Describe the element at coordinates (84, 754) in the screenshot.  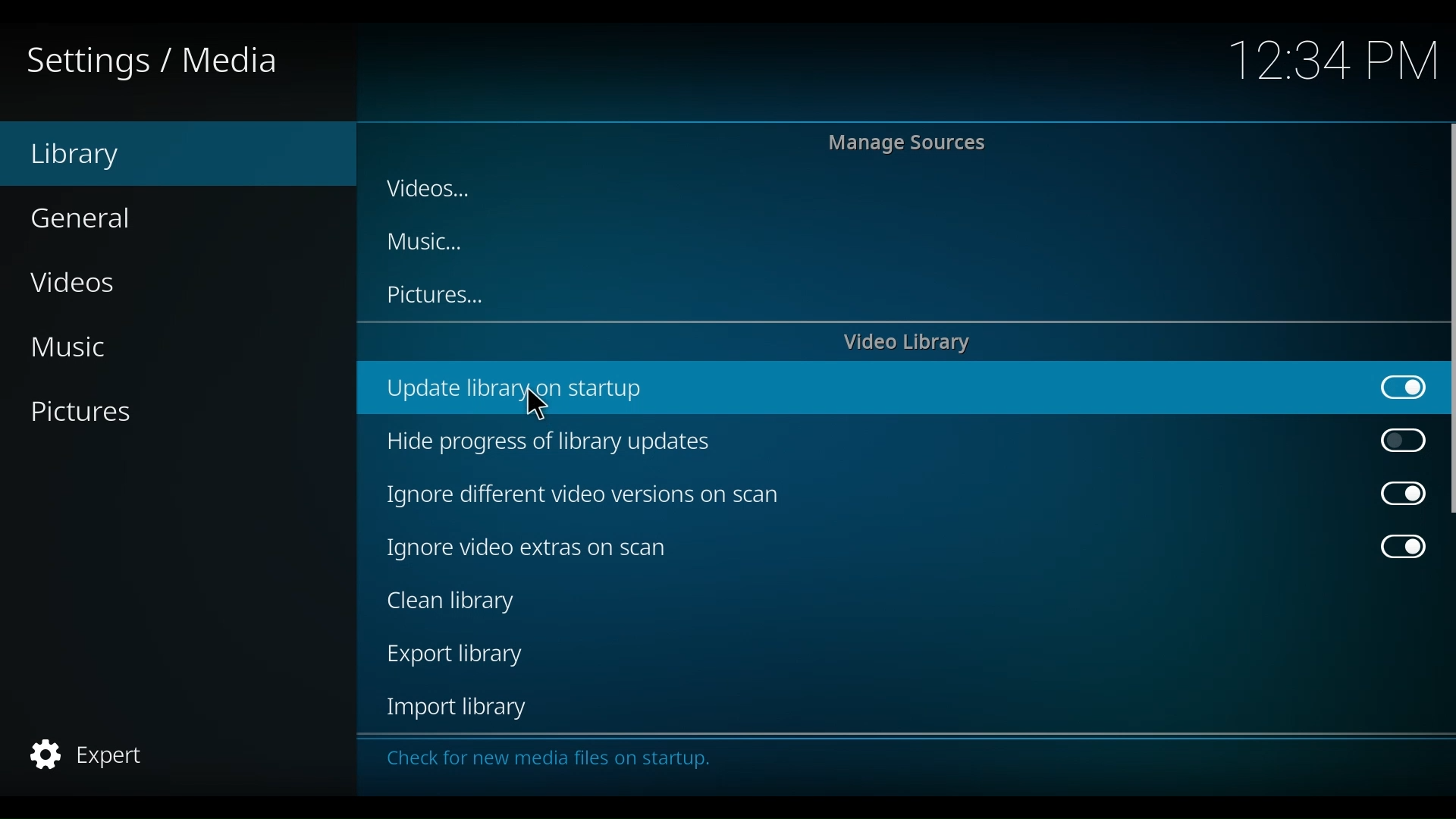
I see `Expert` at that location.